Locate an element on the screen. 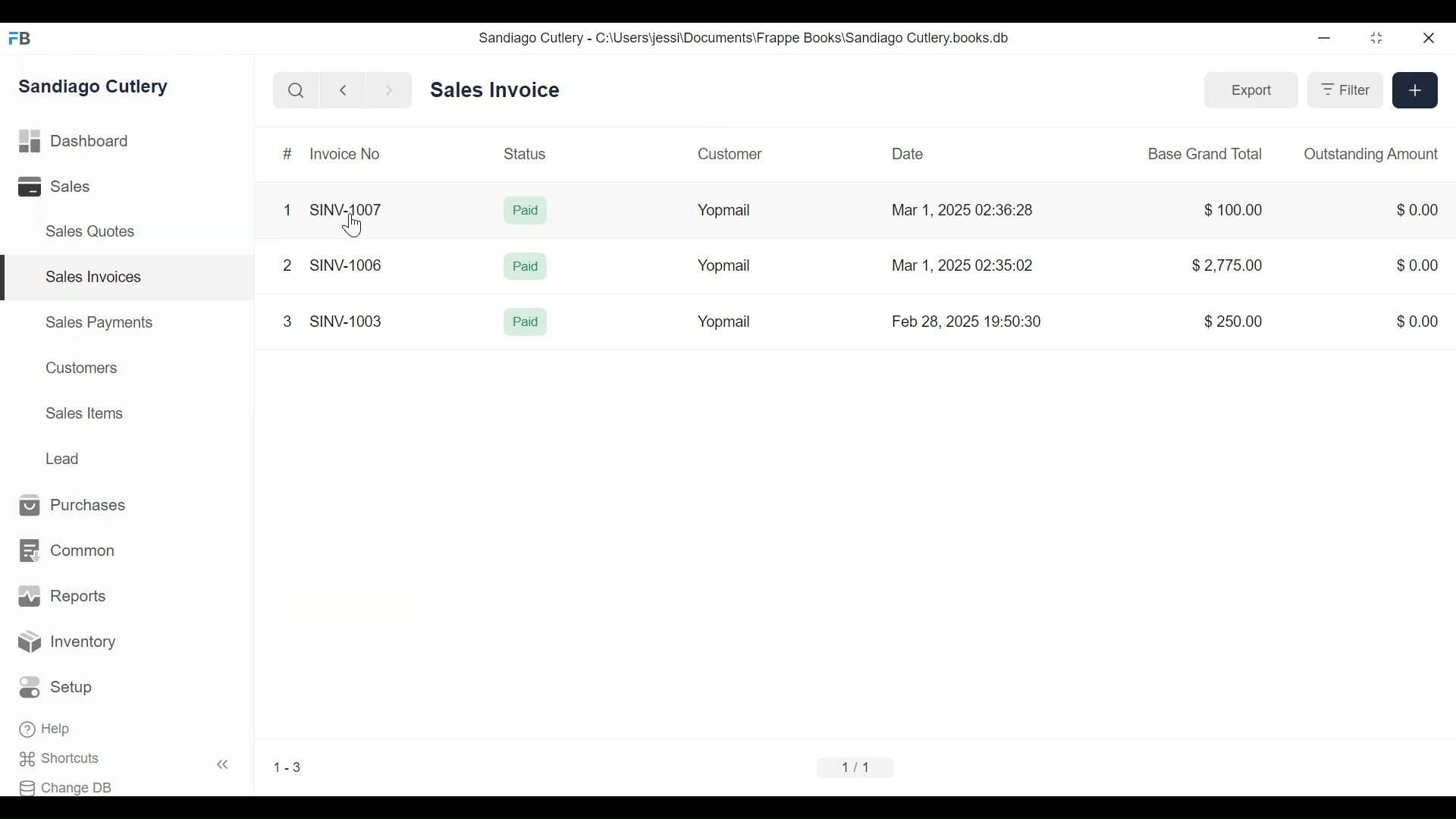 This screenshot has width=1456, height=819.  Help is located at coordinates (45, 729).